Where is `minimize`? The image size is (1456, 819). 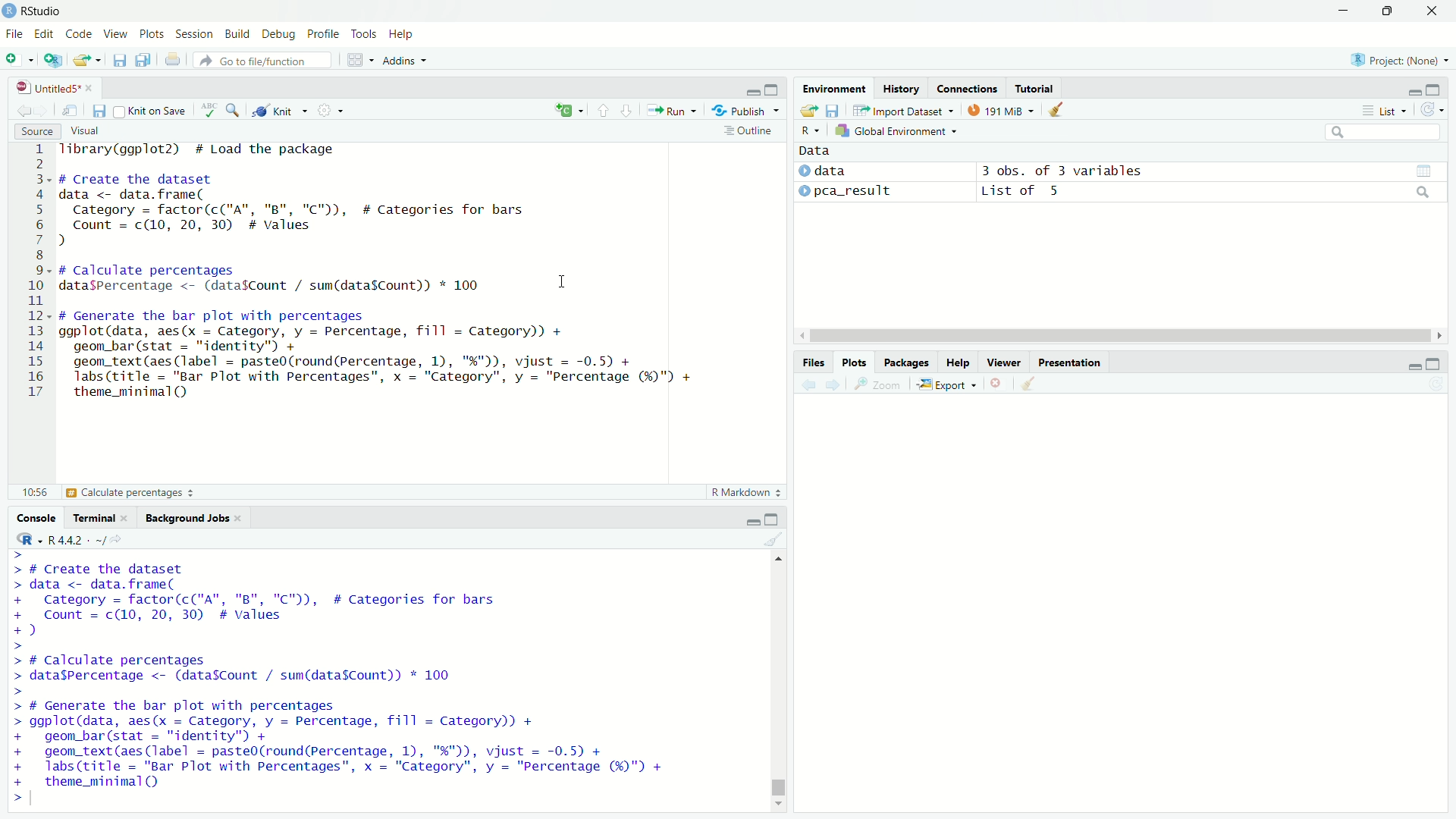
minimize is located at coordinates (753, 518).